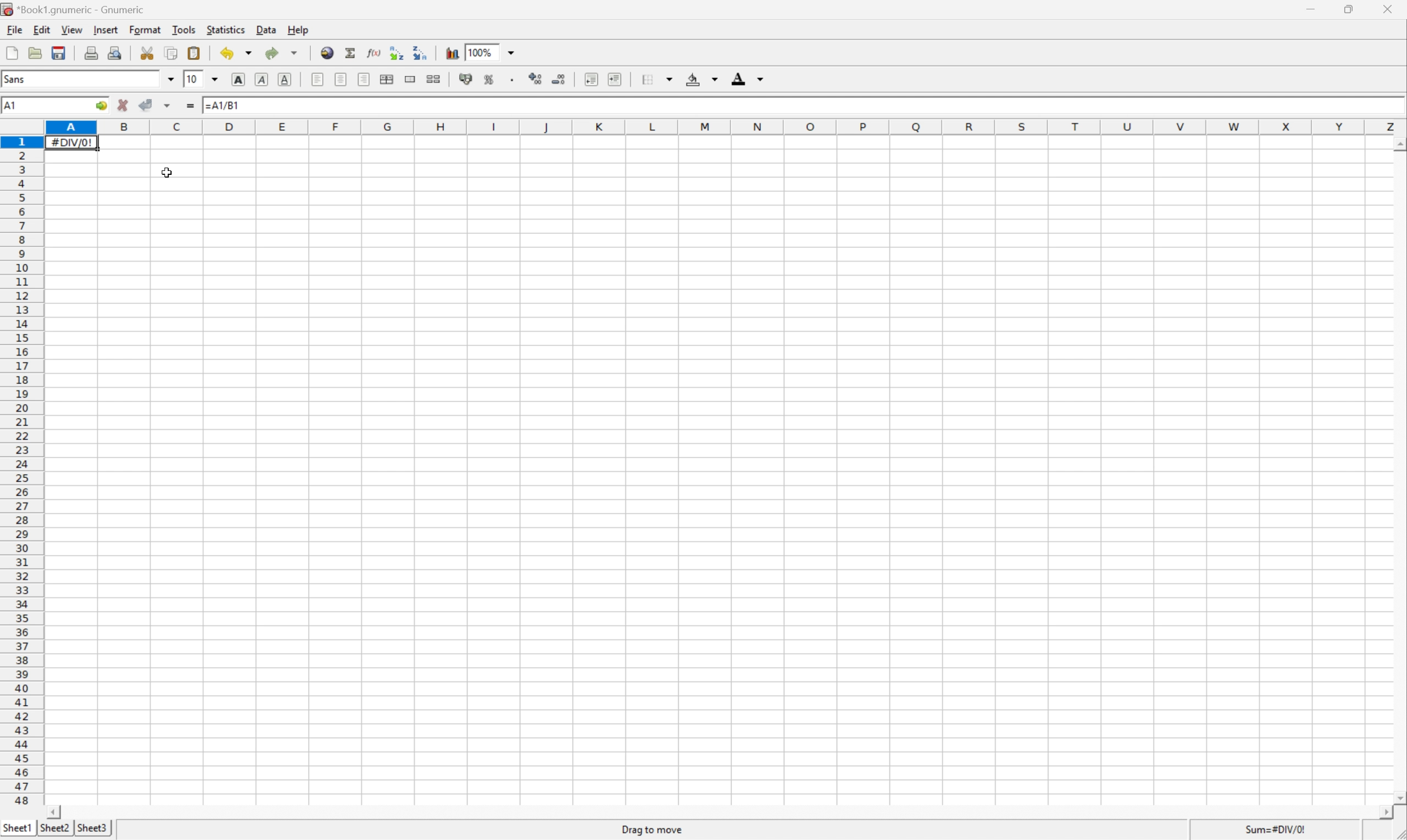 The height and width of the screenshot is (840, 1407). I want to click on Format the selection as accounting, so click(465, 79).